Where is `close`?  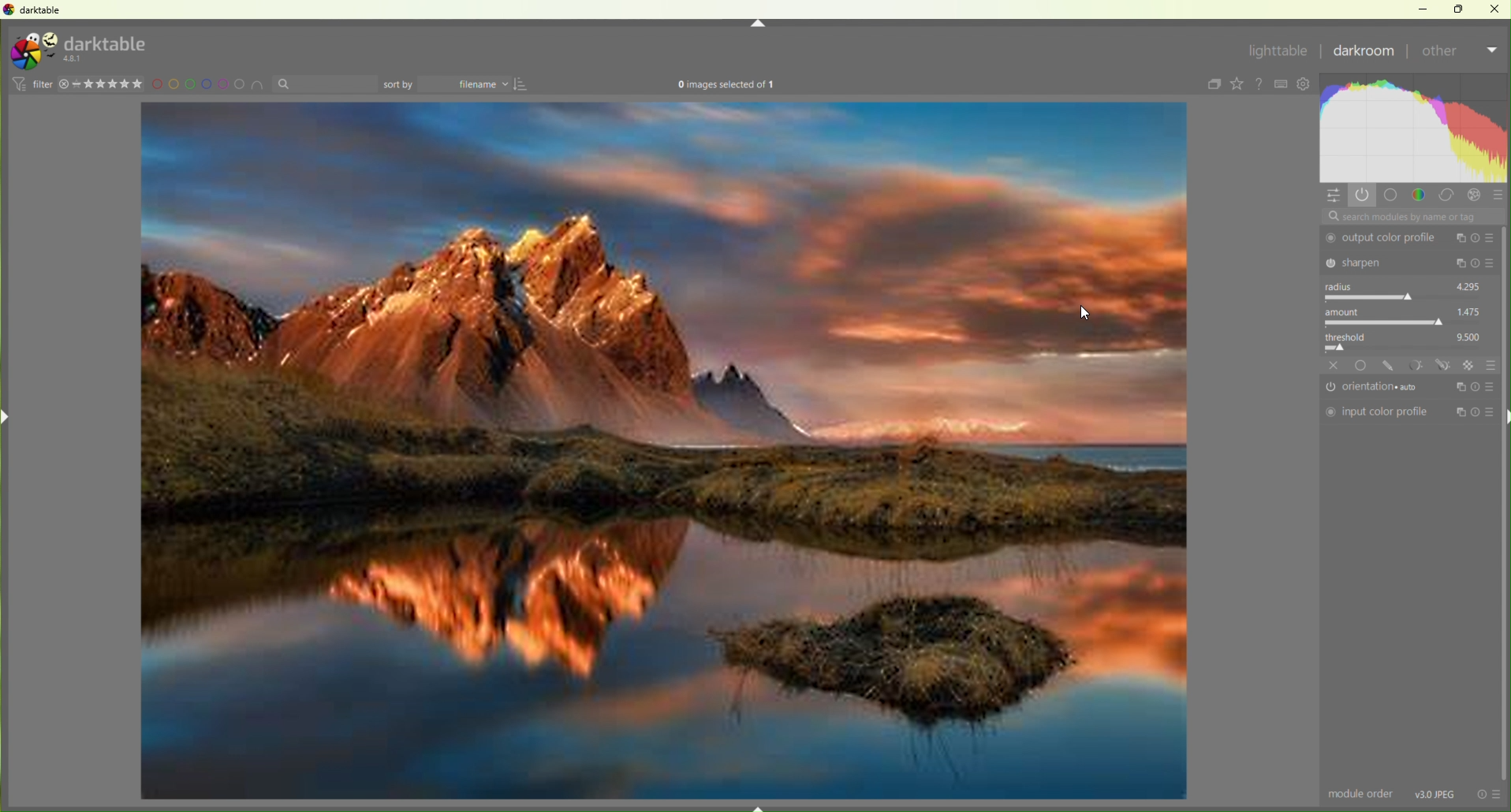
close is located at coordinates (64, 84).